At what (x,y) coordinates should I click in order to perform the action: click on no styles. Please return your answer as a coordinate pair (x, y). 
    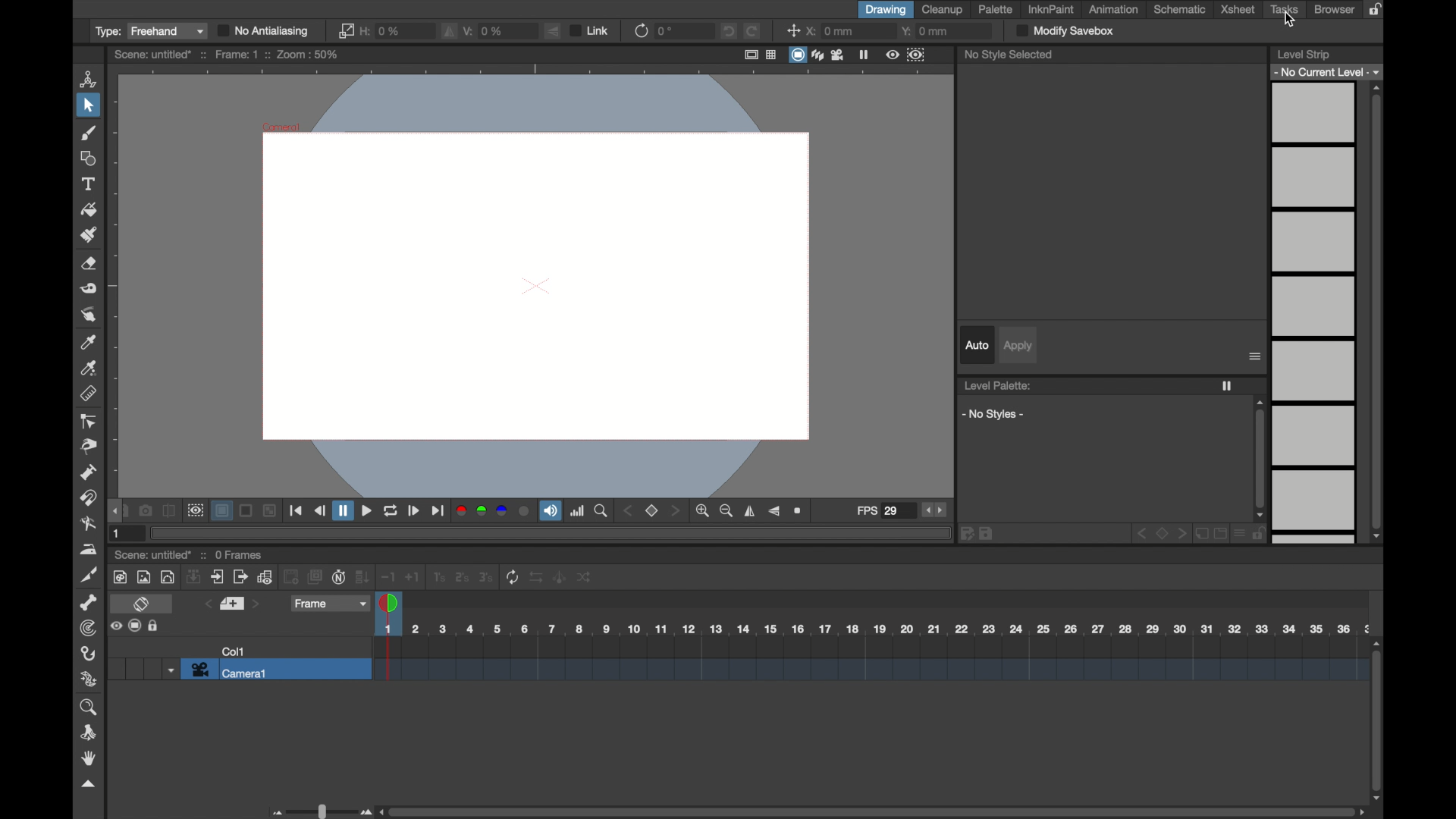
    Looking at the image, I should click on (996, 414).